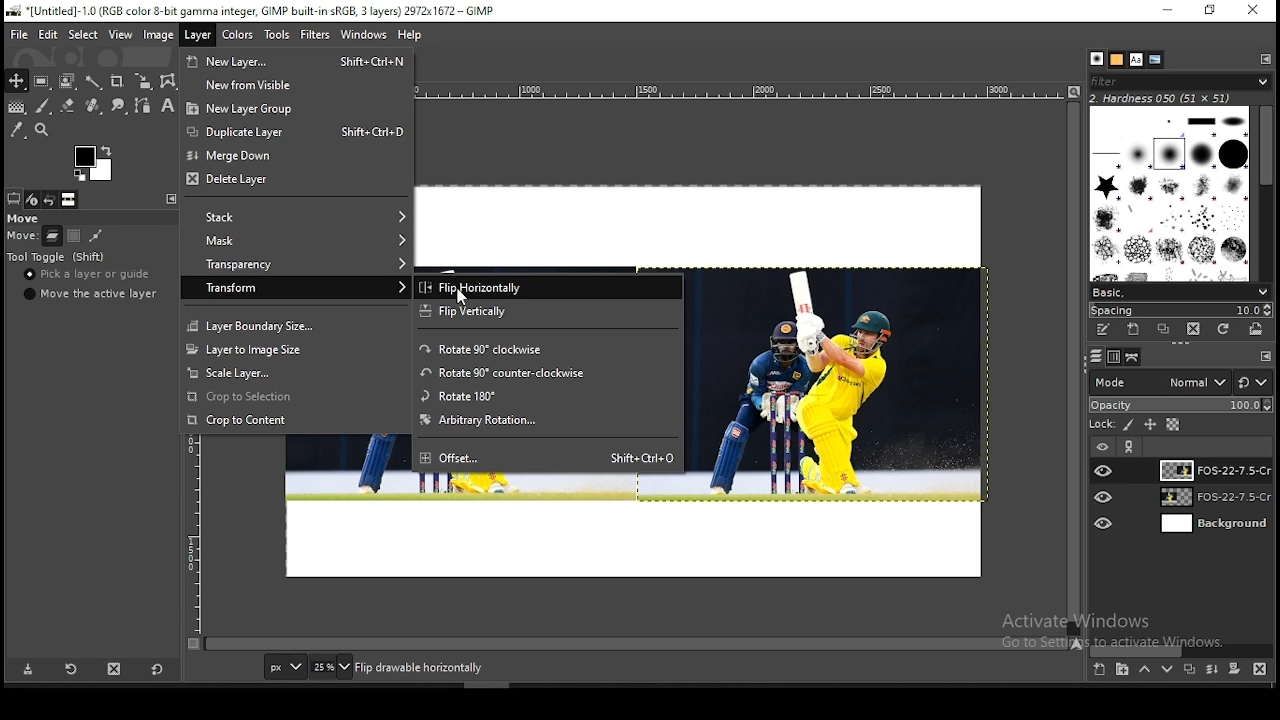 The height and width of the screenshot is (720, 1280). Describe the element at coordinates (29, 670) in the screenshot. I see `save tool preset` at that location.